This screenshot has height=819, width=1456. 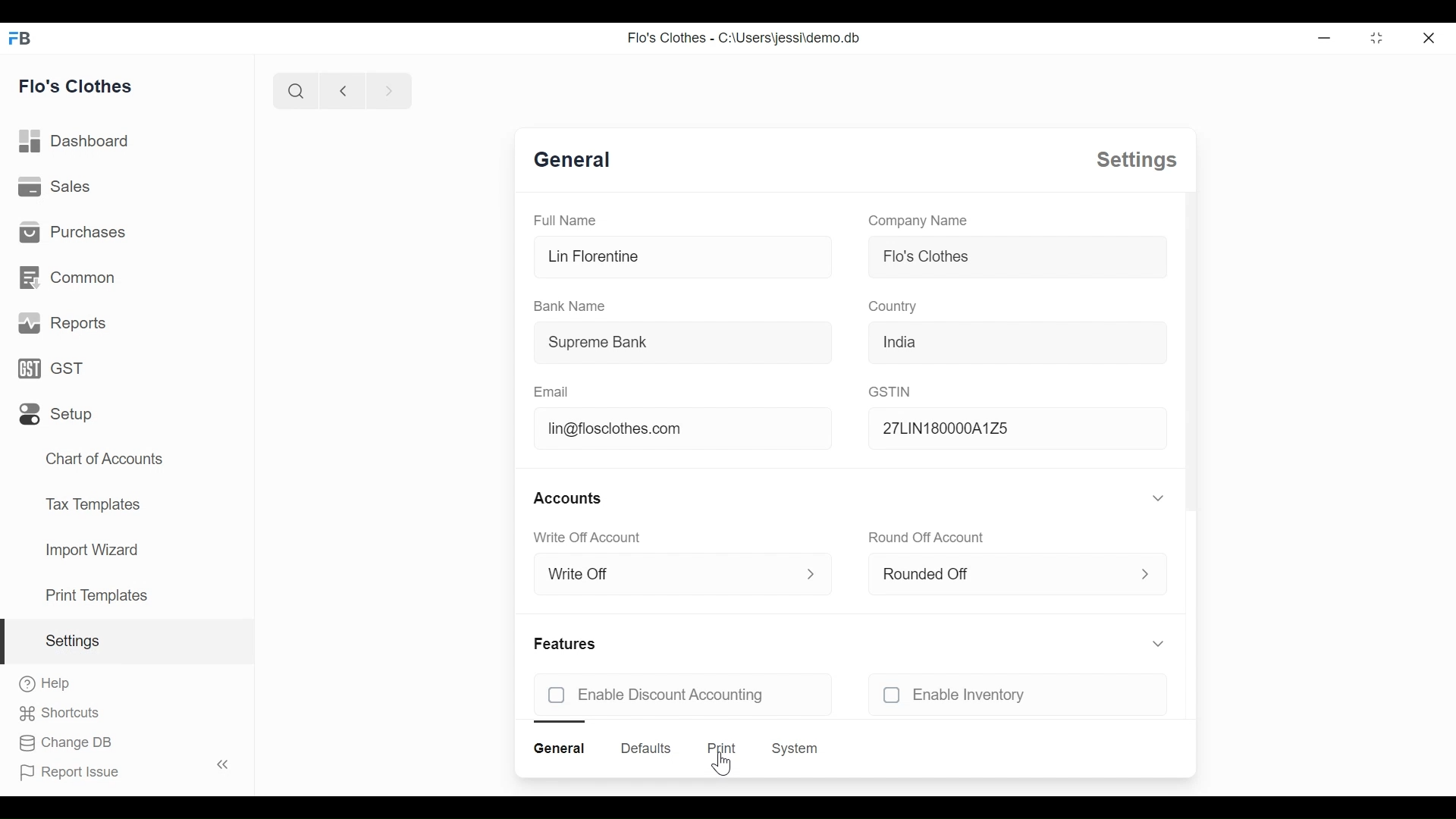 What do you see at coordinates (21, 37) in the screenshot?
I see `FB` at bounding box center [21, 37].